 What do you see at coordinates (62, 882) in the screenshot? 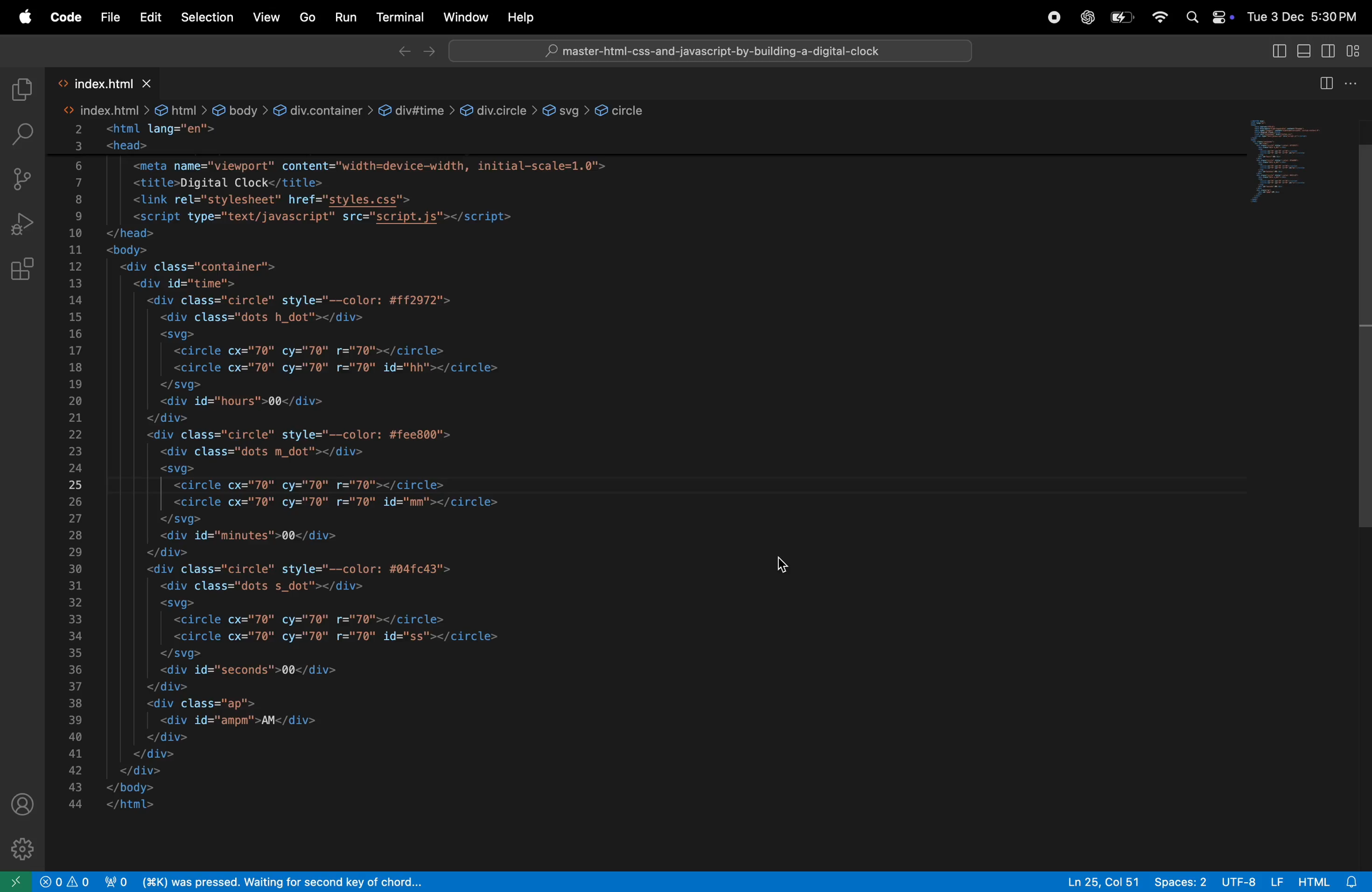
I see `no problems` at bounding box center [62, 882].